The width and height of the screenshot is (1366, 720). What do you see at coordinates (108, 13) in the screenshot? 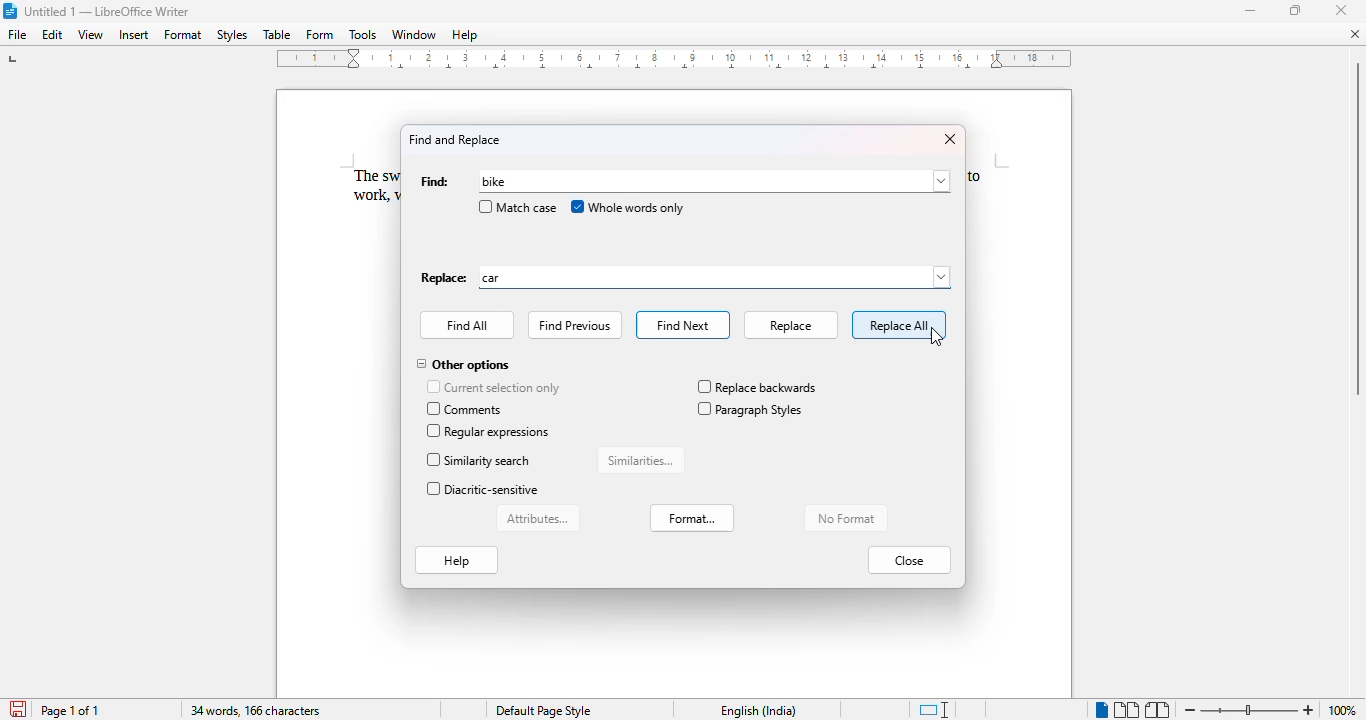
I see `Untitled 1 -- LibreOffice Writer` at bounding box center [108, 13].